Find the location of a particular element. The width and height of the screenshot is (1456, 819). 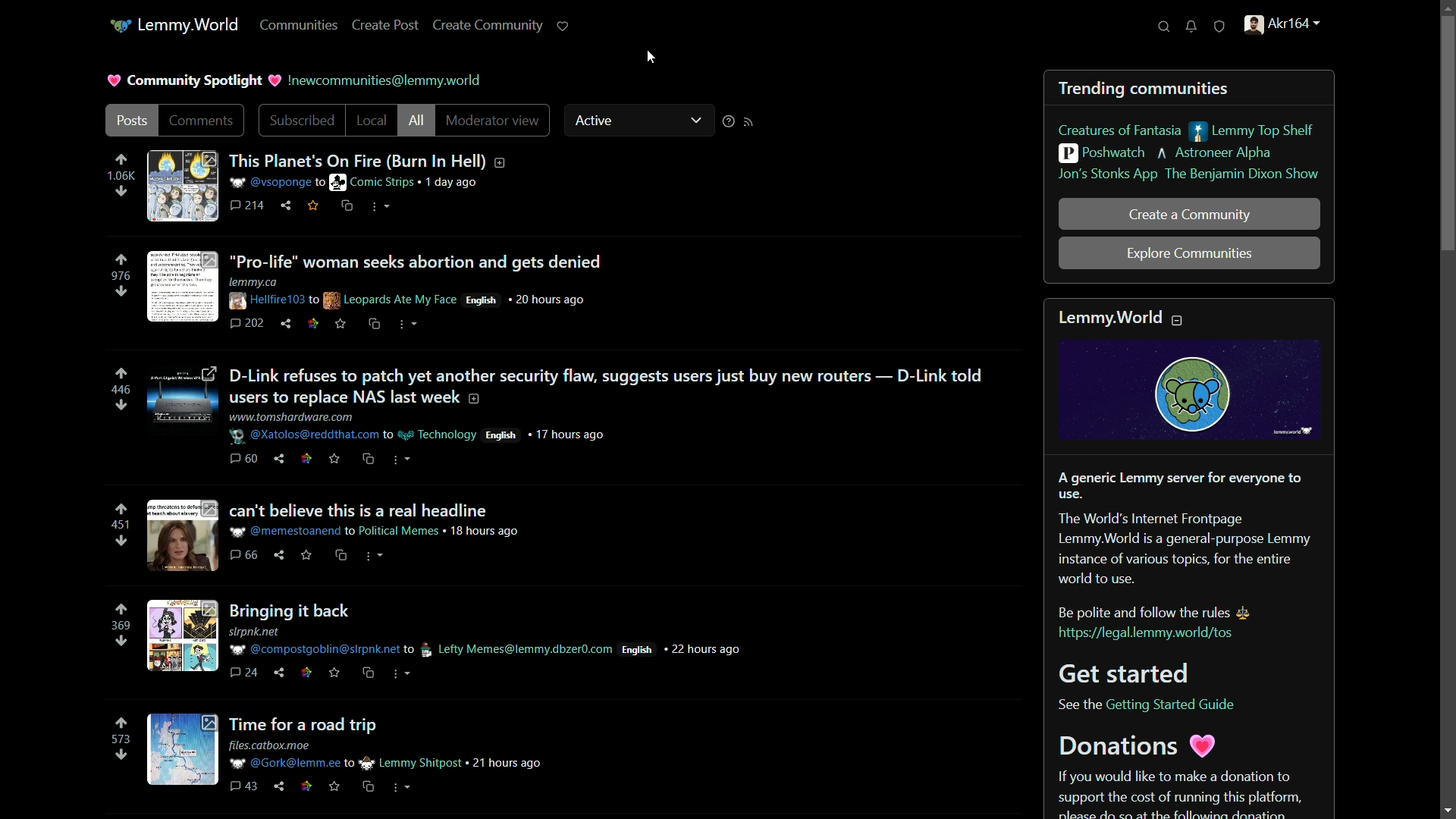

upvote is located at coordinates (121, 375).